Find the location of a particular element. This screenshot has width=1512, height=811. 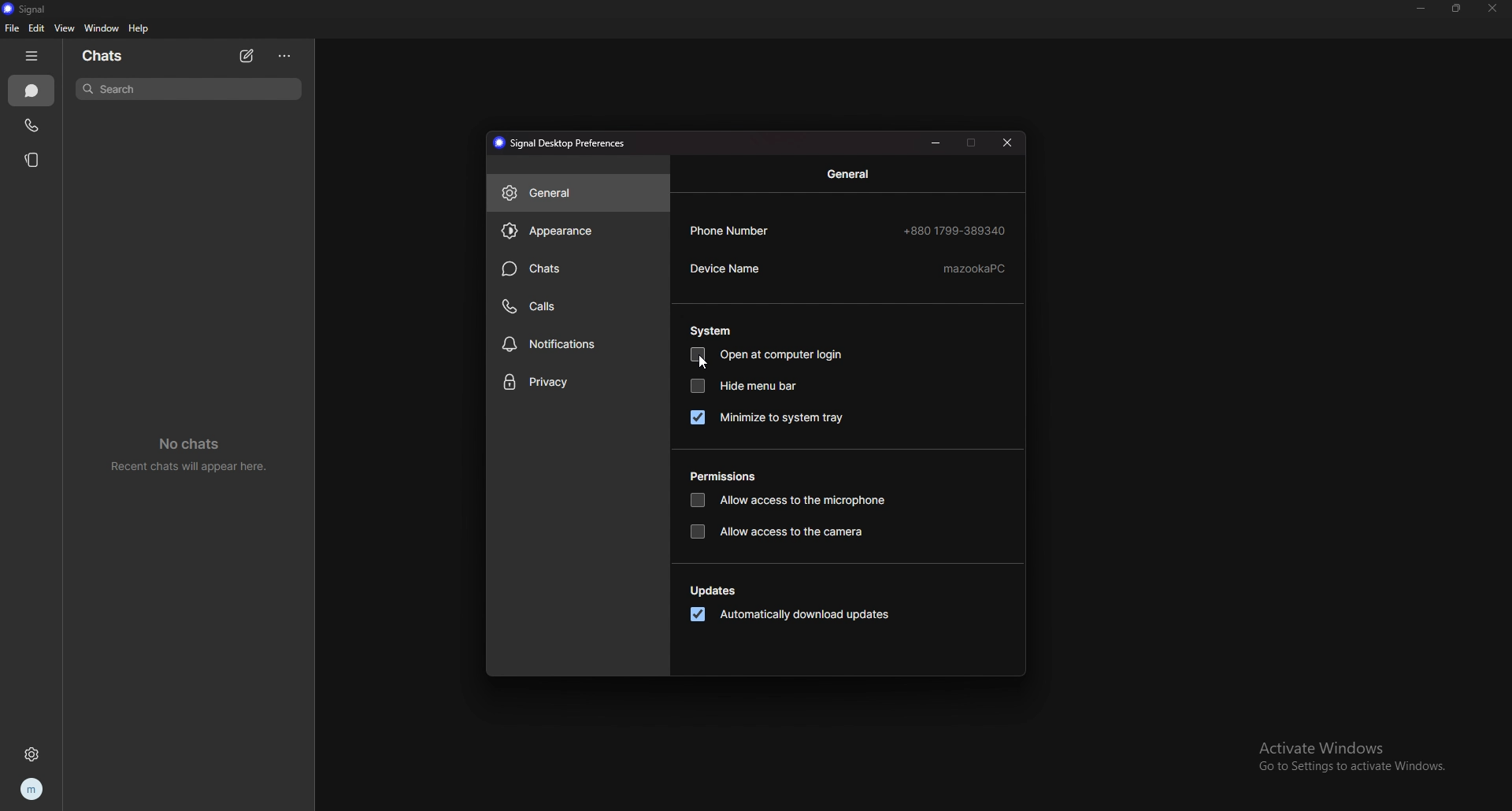

signal desktop preferences is located at coordinates (564, 143).